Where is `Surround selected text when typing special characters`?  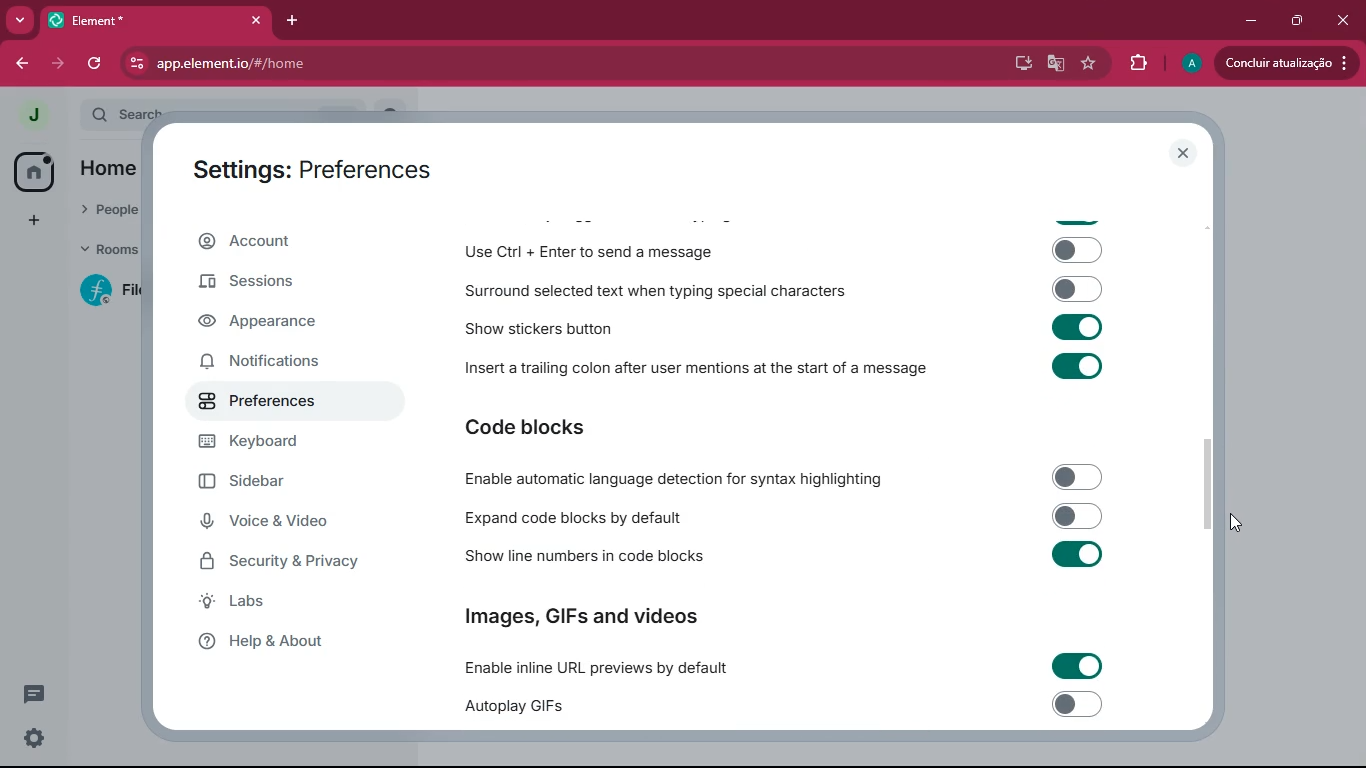 Surround selected text when typing special characters is located at coordinates (780, 290).